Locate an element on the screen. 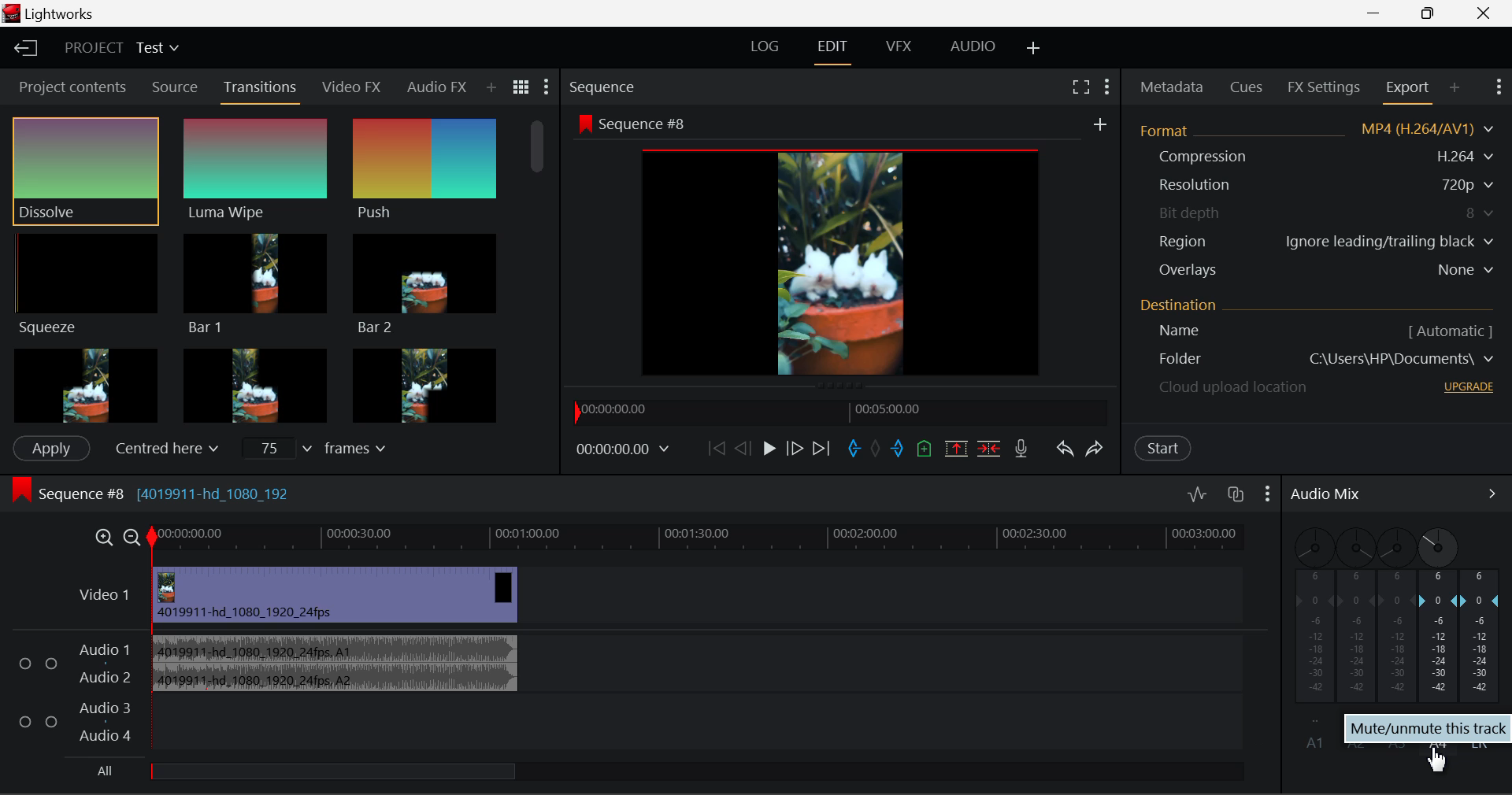  Box 3 is located at coordinates (425, 383).